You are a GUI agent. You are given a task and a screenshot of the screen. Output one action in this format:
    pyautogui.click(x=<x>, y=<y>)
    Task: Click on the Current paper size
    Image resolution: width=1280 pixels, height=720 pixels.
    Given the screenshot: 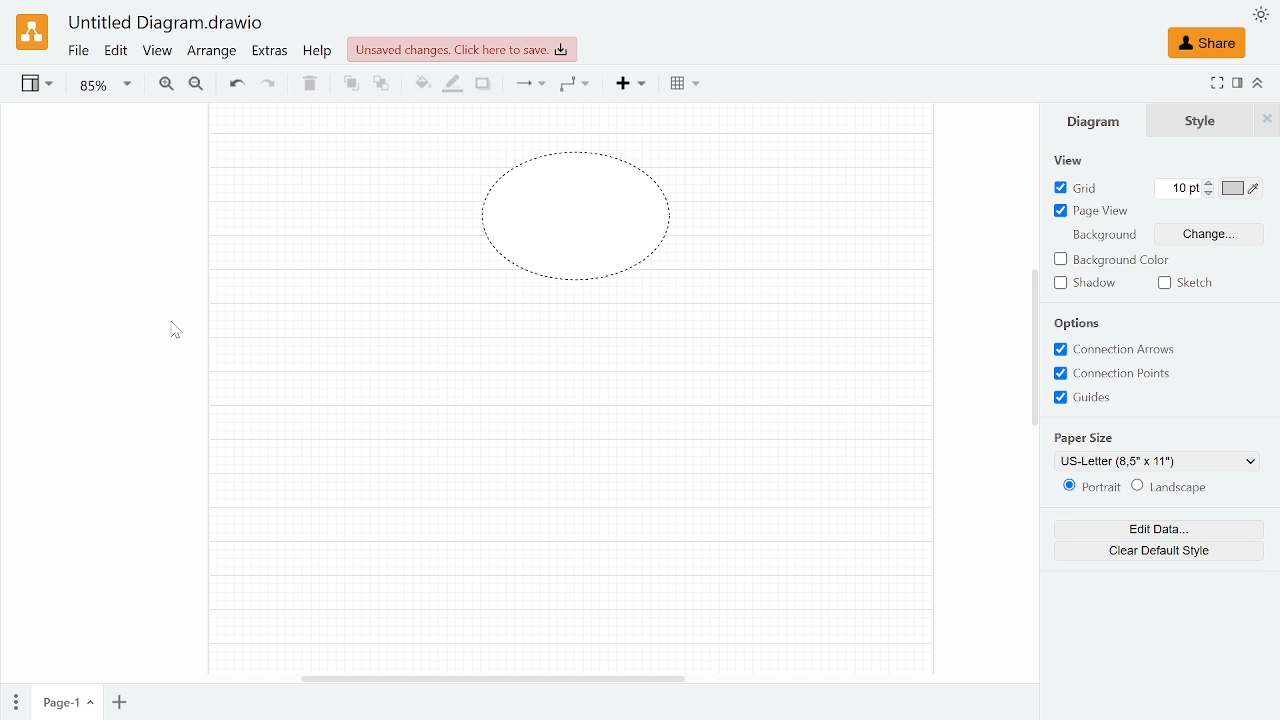 What is the action you would take?
    pyautogui.click(x=1156, y=460)
    